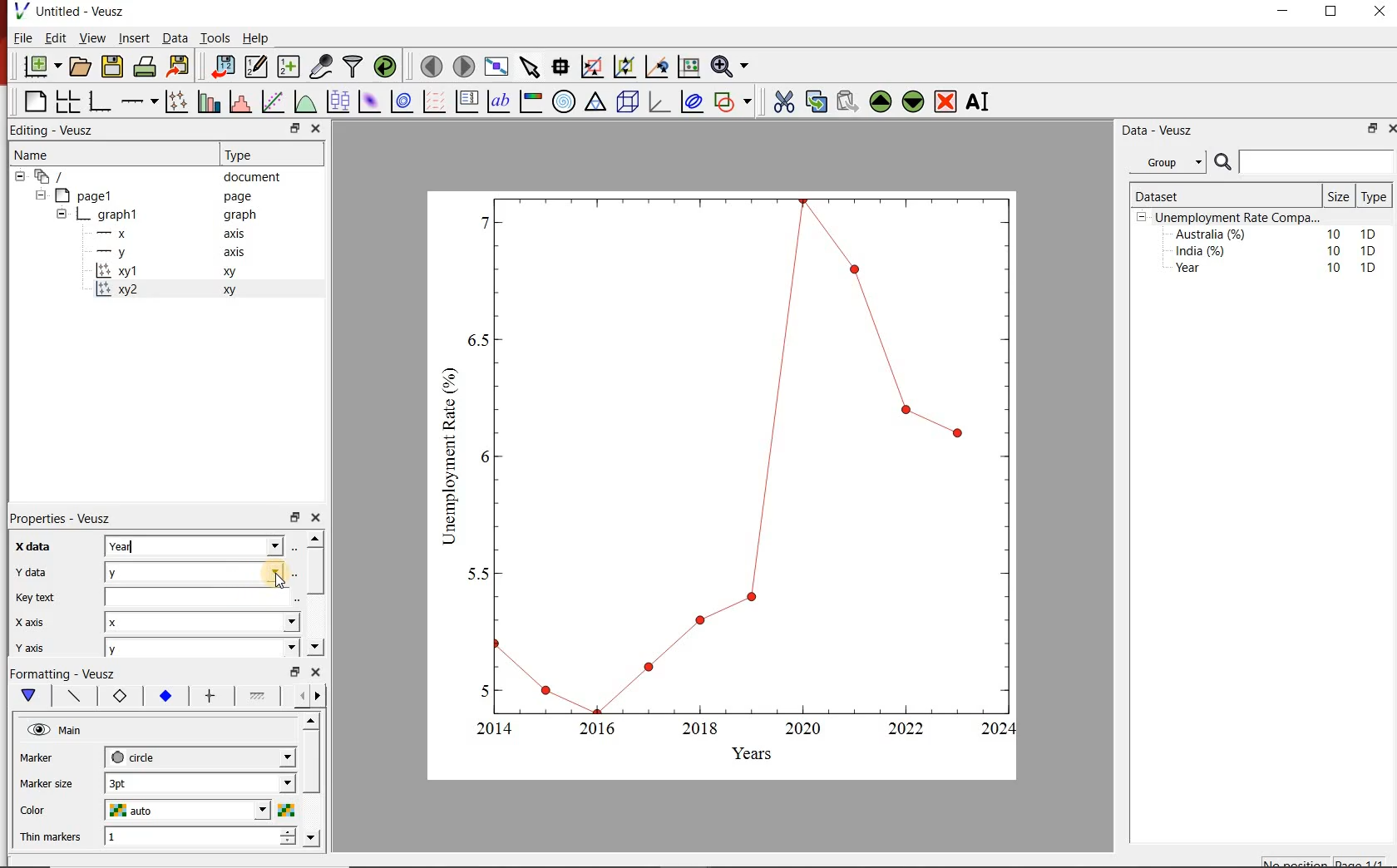 This screenshot has height=868, width=1397. I want to click on zoom funtions, so click(733, 65).